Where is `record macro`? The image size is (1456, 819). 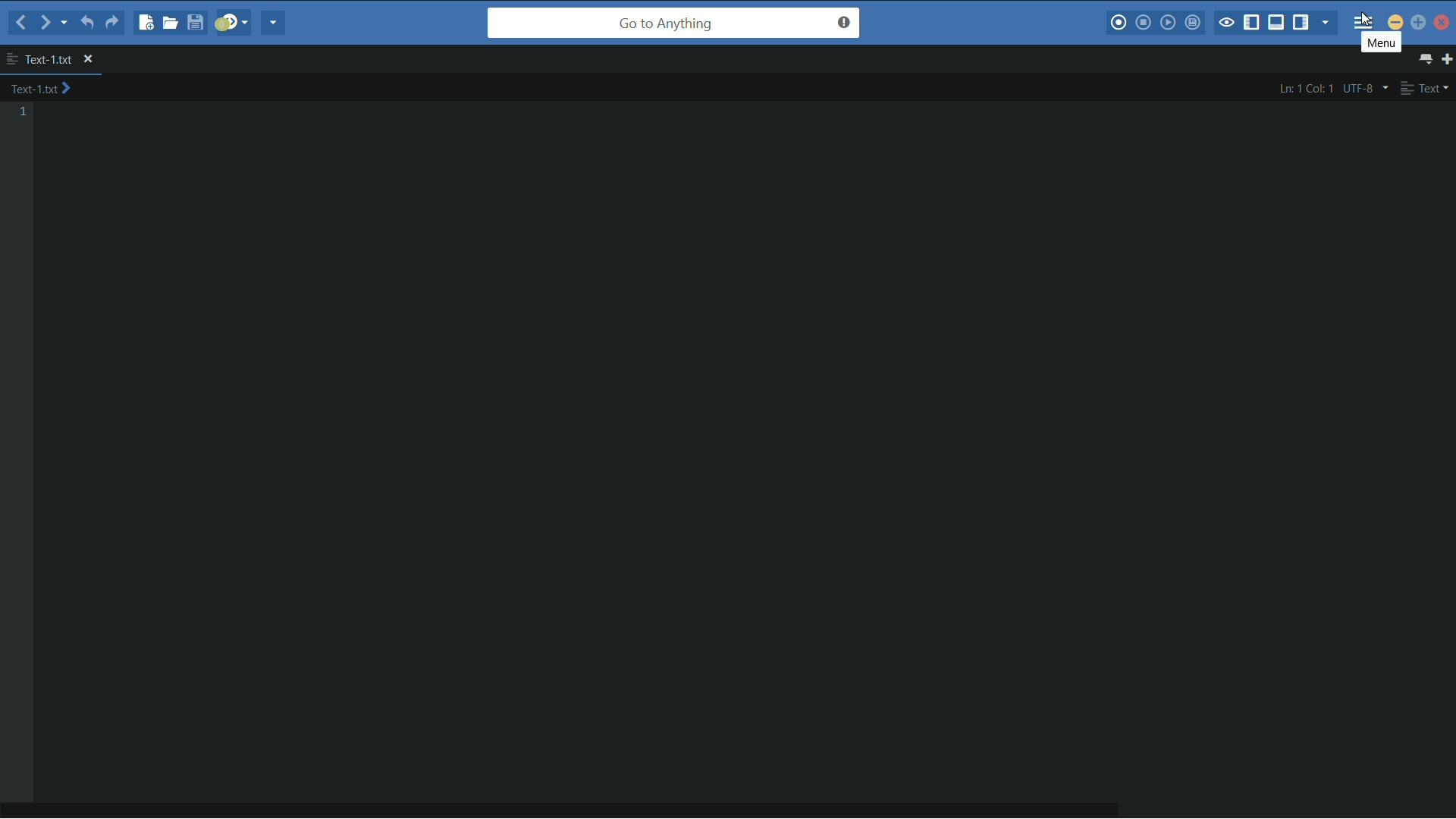 record macro is located at coordinates (1118, 24).